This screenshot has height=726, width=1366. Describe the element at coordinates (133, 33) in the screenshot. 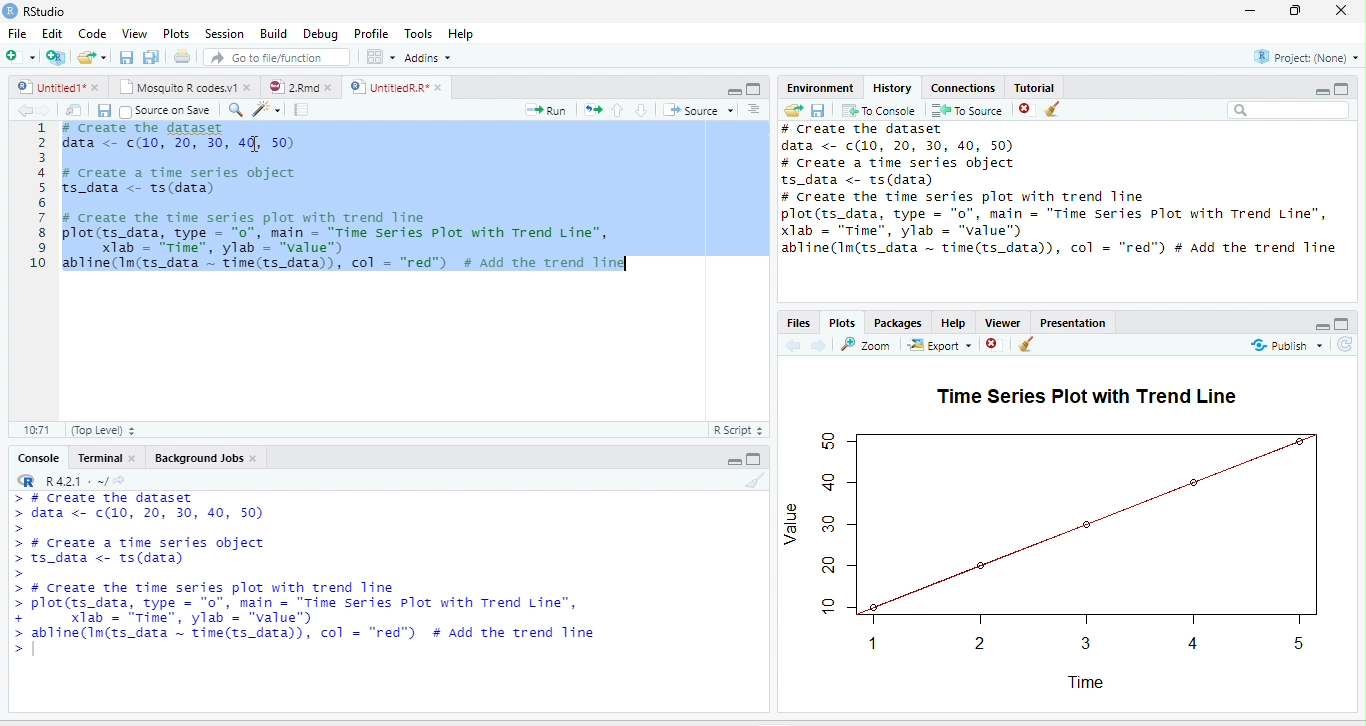

I see `View` at that location.